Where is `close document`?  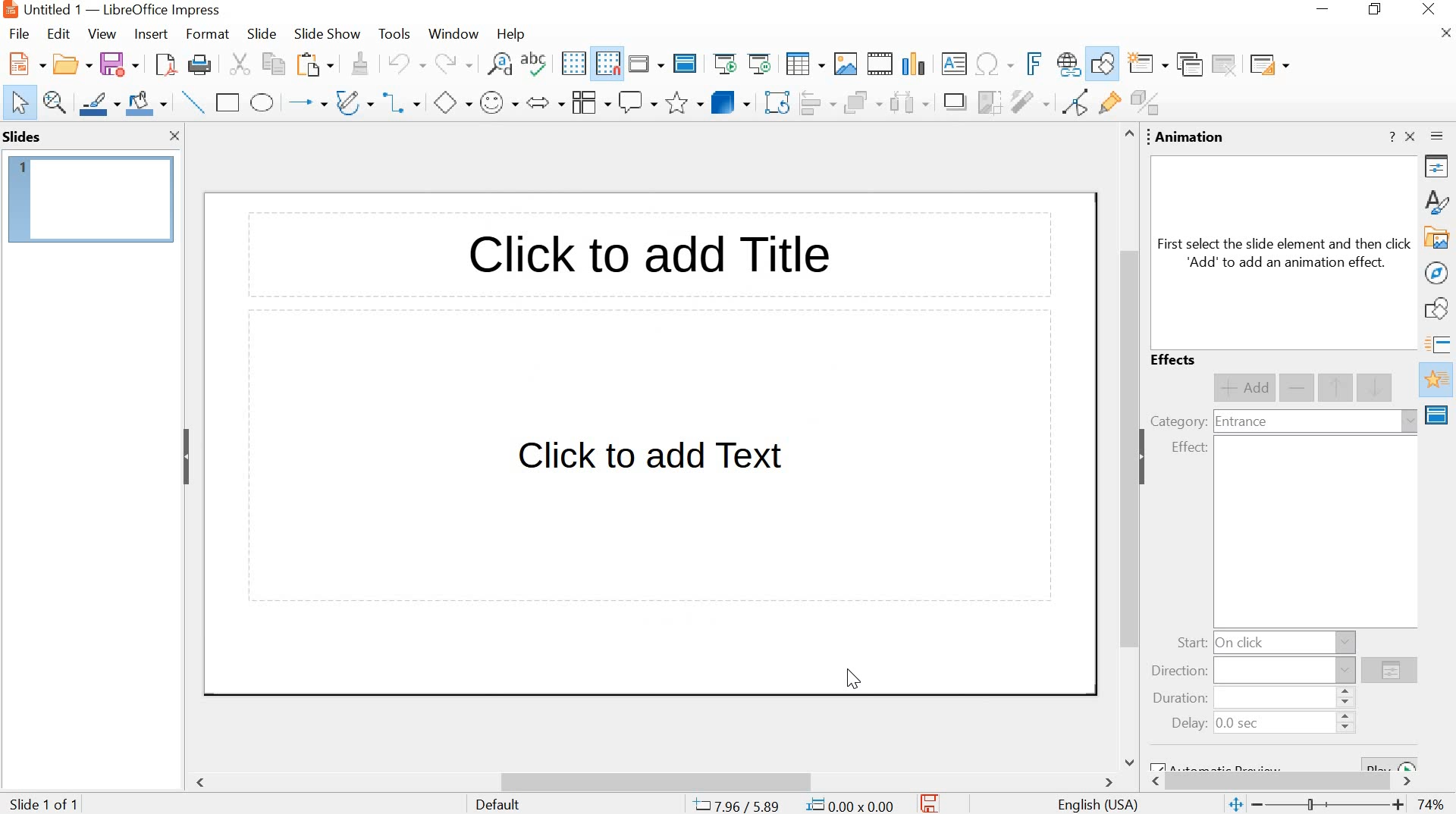 close document is located at coordinates (1447, 33).